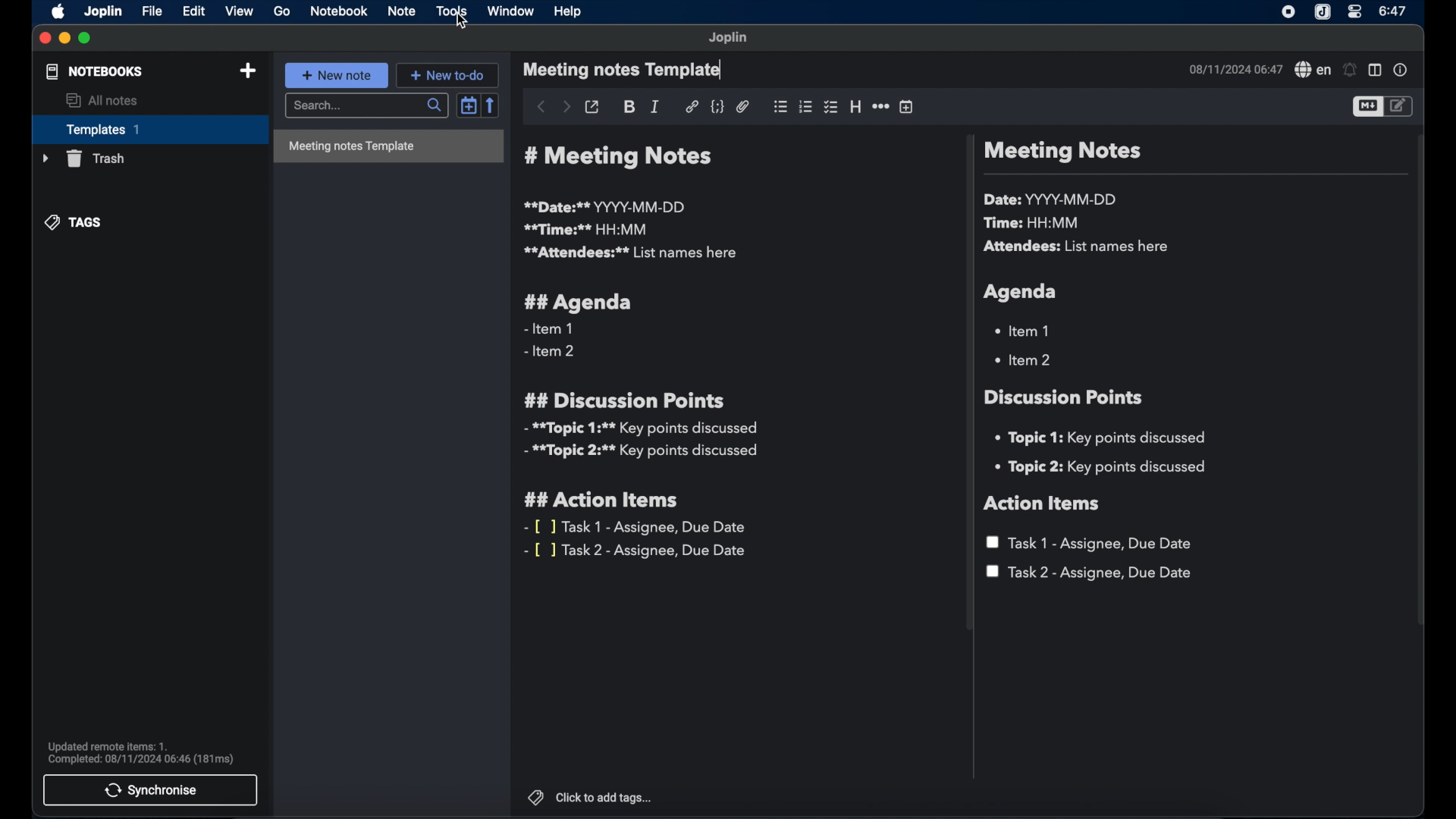 The image size is (1456, 819). I want to click on item 1, so click(1025, 330).